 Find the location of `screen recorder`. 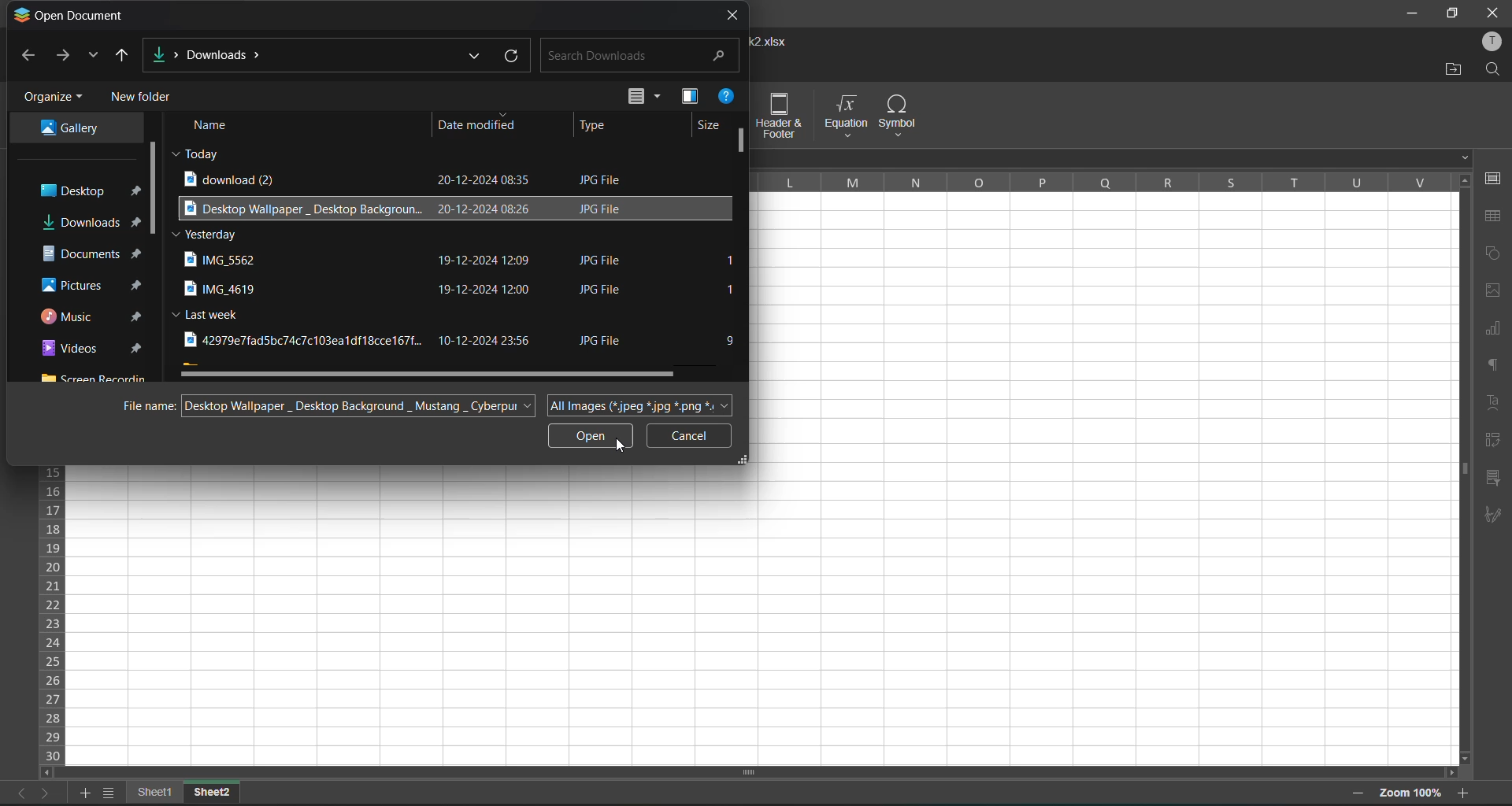

screen recorder is located at coordinates (94, 375).